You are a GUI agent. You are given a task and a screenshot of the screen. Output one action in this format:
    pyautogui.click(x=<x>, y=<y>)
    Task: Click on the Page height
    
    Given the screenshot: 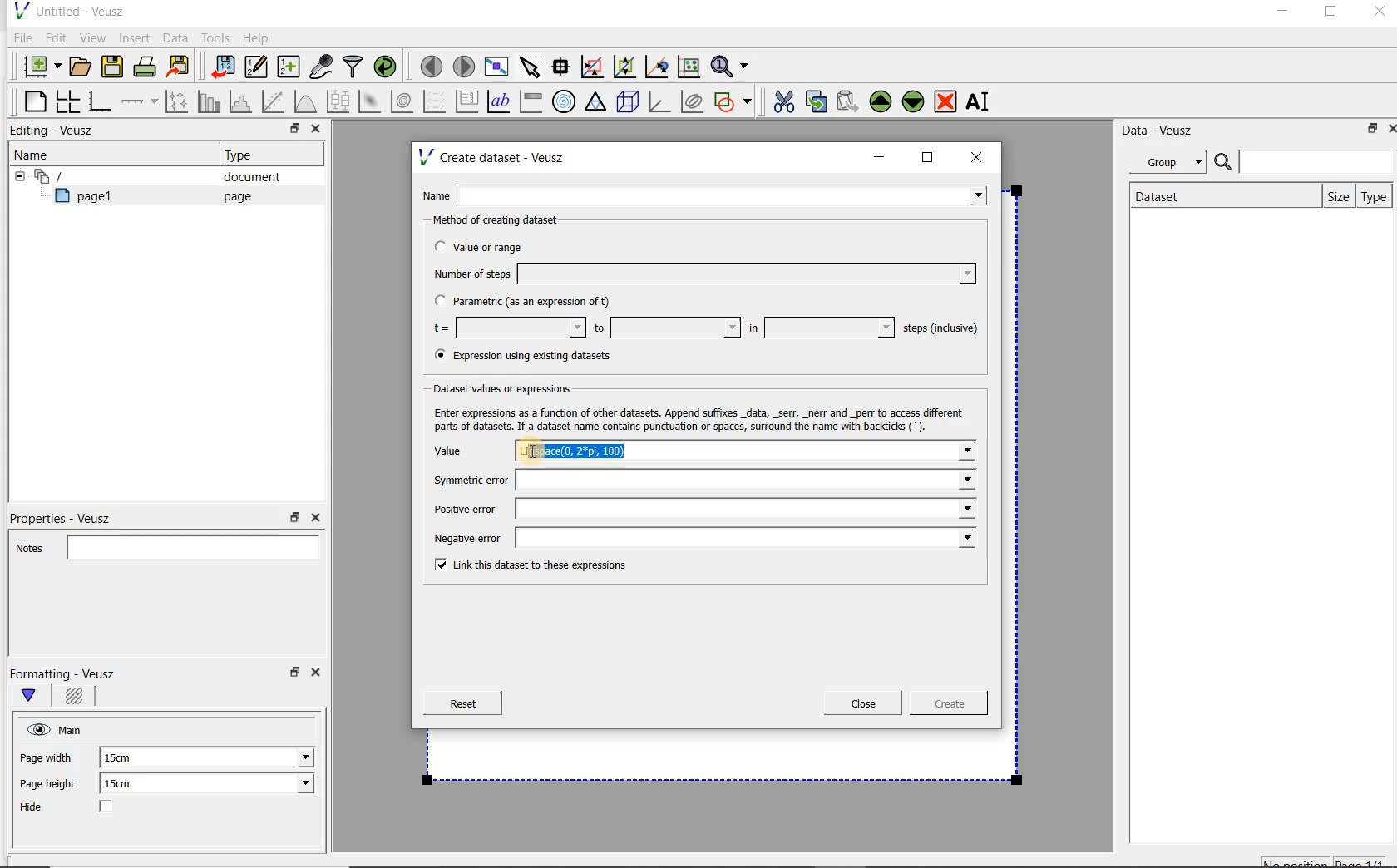 What is the action you would take?
    pyautogui.click(x=53, y=786)
    